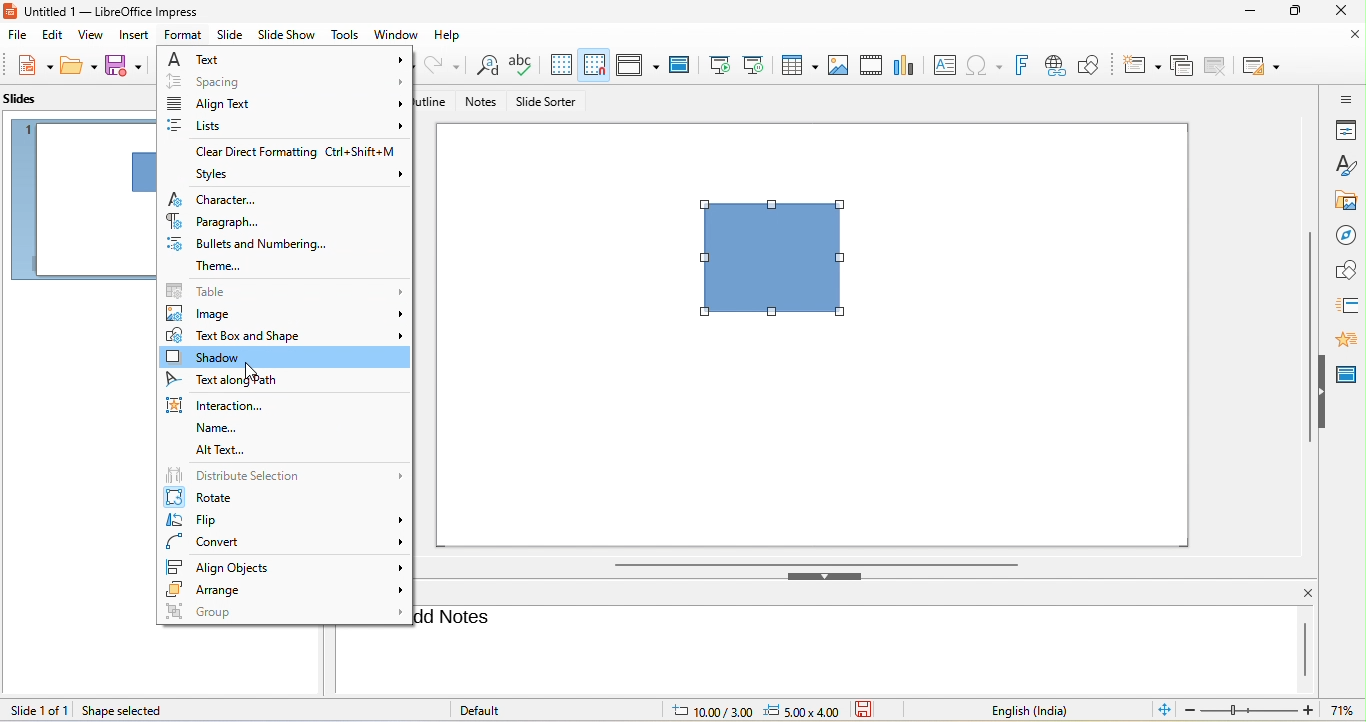 This screenshot has width=1366, height=722. I want to click on hyperlink, so click(1060, 64).